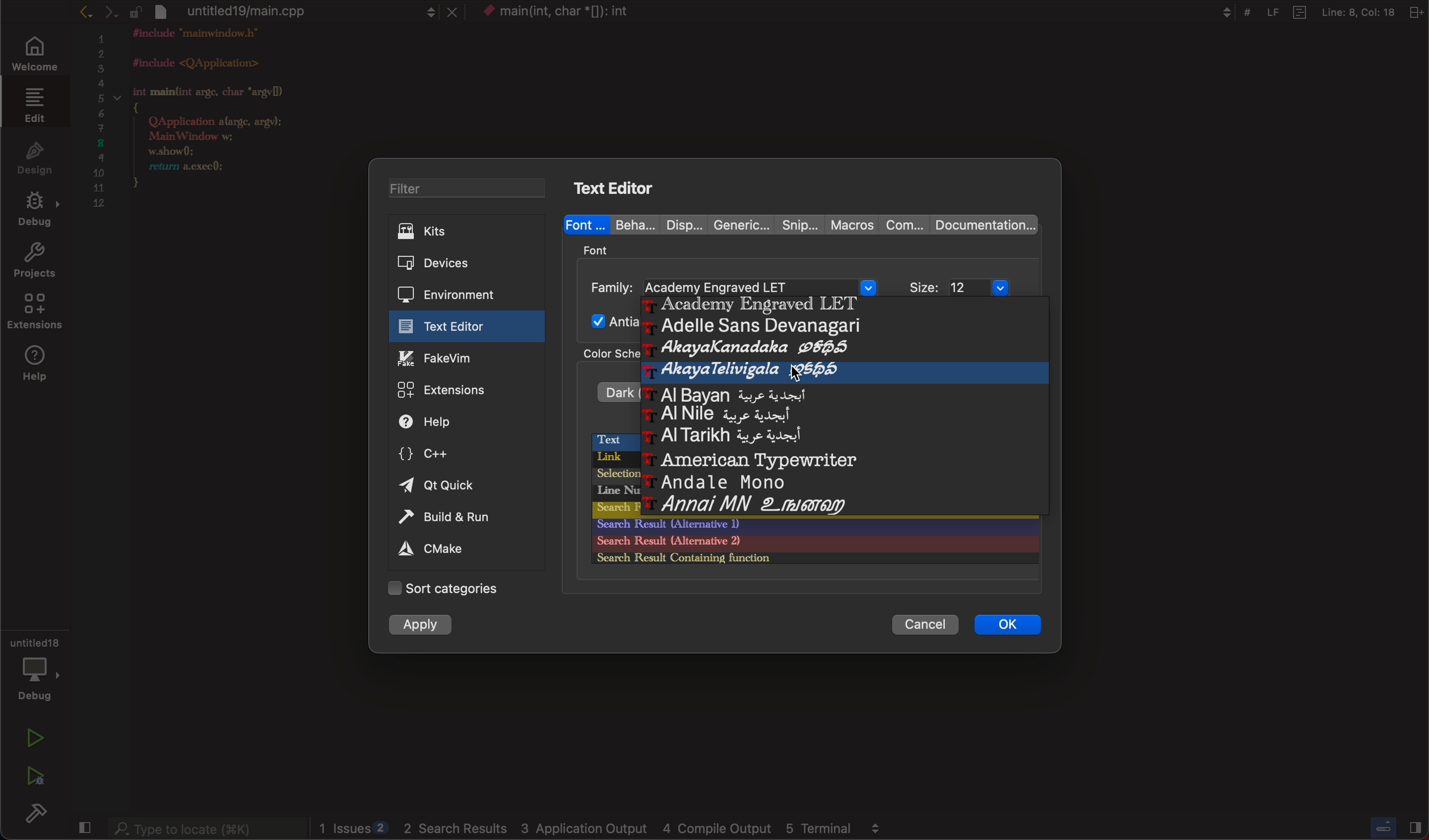  Describe the element at coordinates (811, 550) in the screenshot. I see `color palette` at that location.